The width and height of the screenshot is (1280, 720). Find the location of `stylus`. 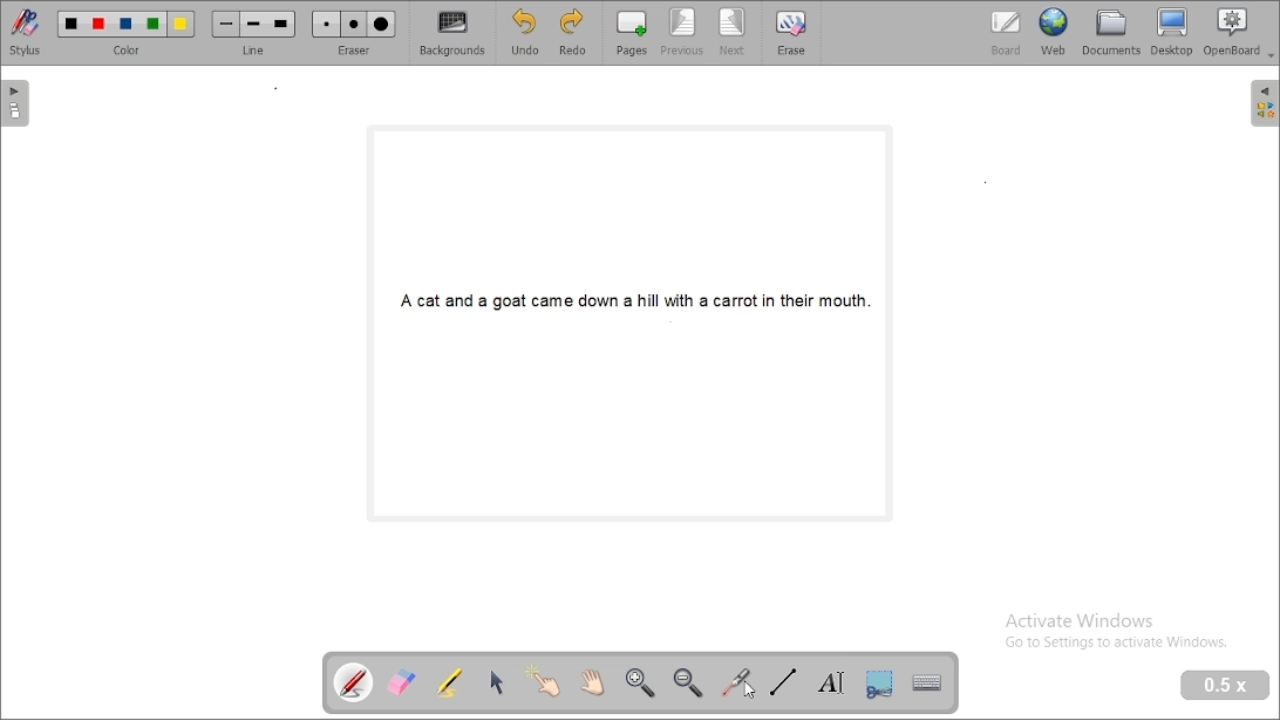

stylus is located at coordinates (26, 33).